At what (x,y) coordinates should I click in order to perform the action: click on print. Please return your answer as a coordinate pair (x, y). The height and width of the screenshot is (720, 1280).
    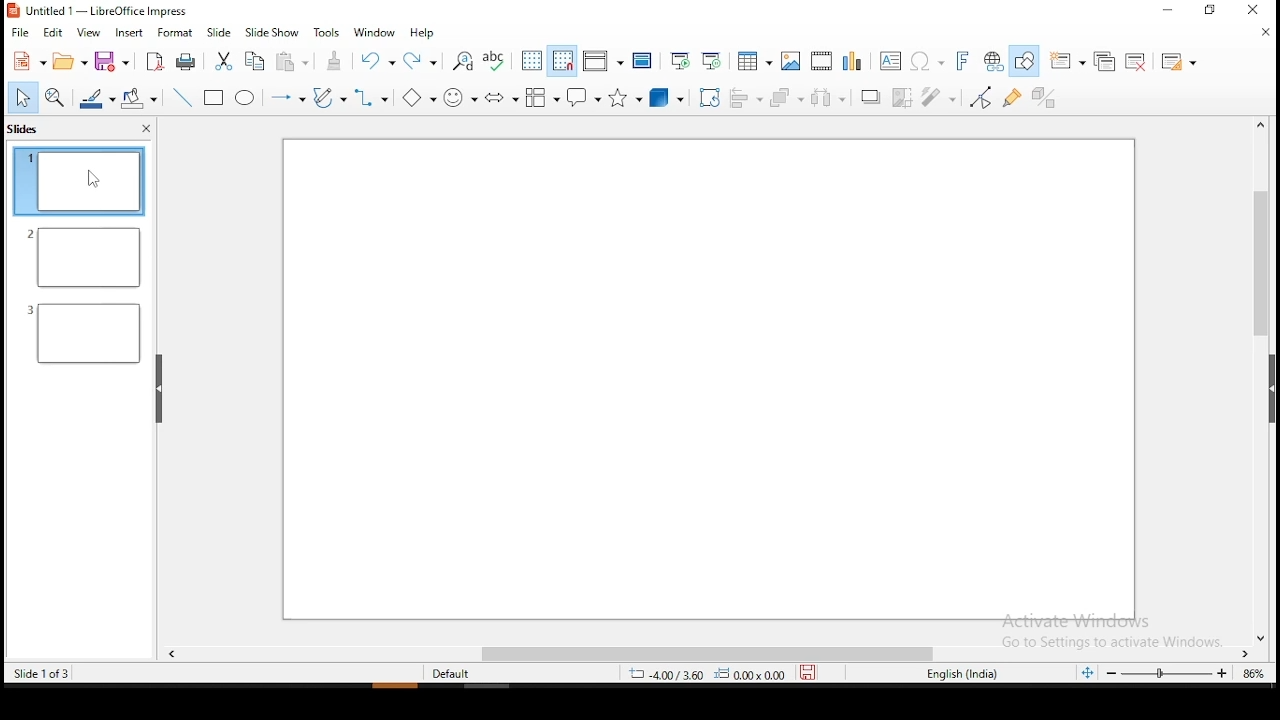
    Looking at the image, I should click on (185, 61).